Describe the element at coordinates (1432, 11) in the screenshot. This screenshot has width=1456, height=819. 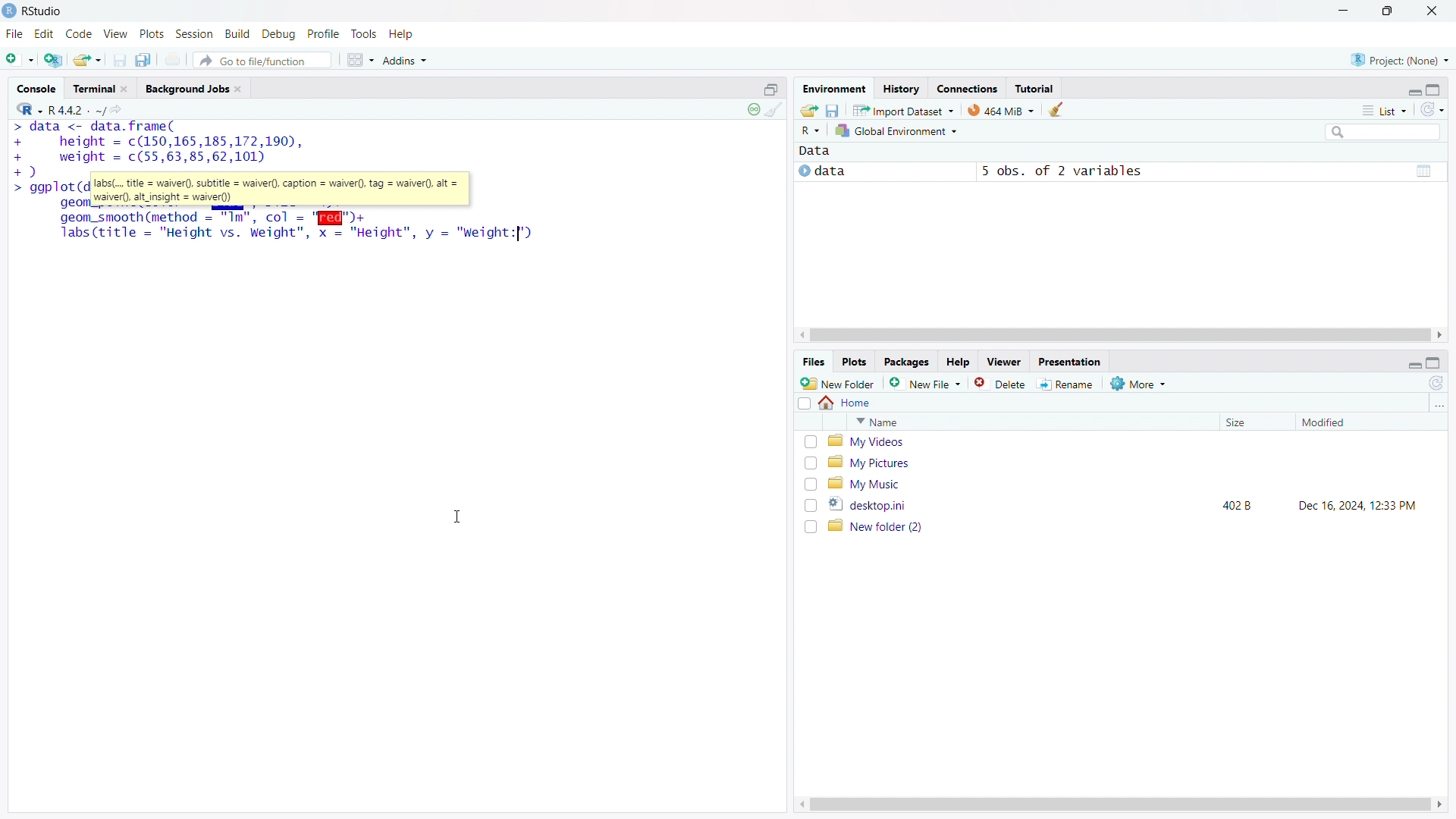
I see `close` at that location.